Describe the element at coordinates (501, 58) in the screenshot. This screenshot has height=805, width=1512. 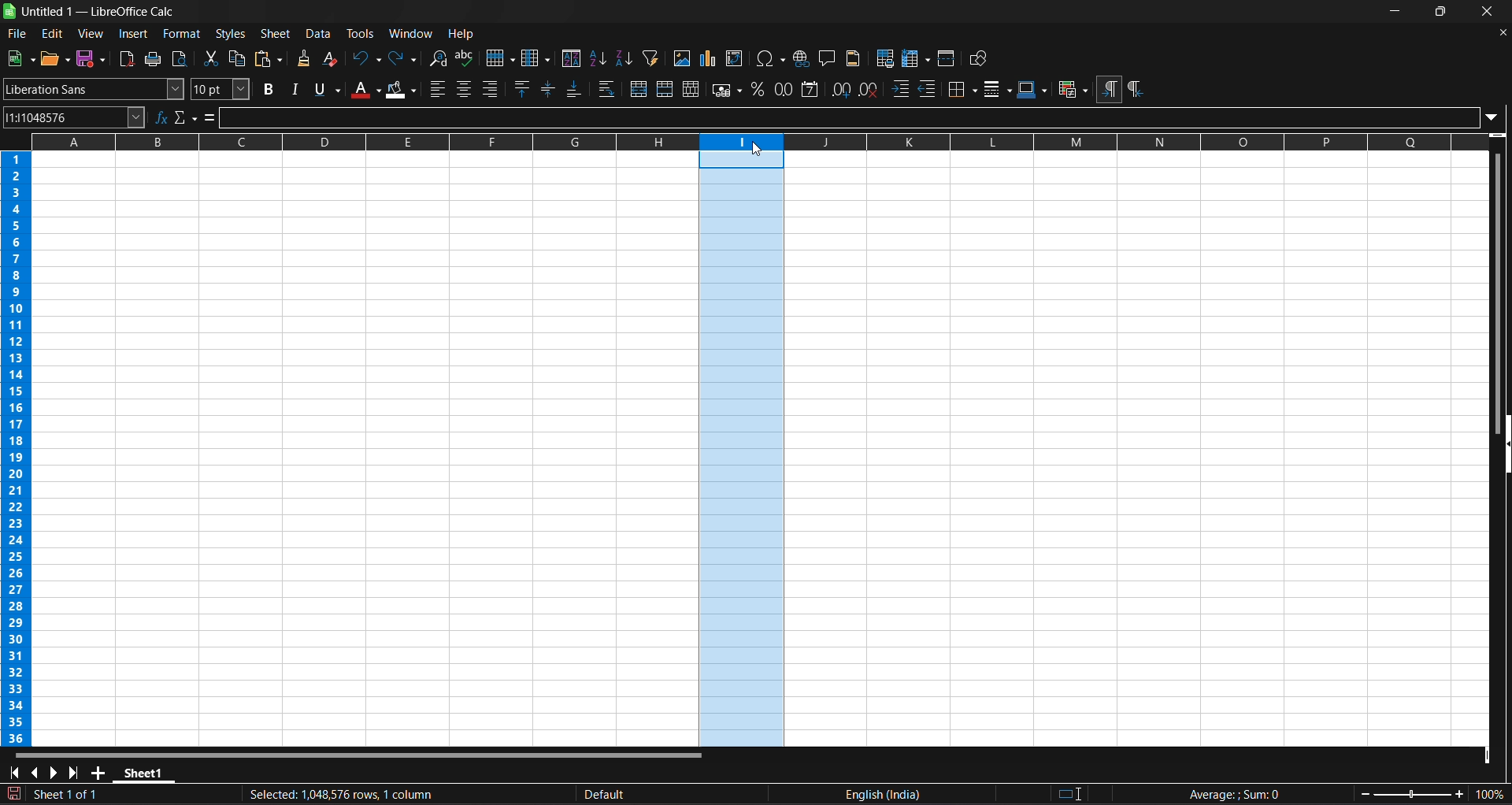
I see `row` at that location.